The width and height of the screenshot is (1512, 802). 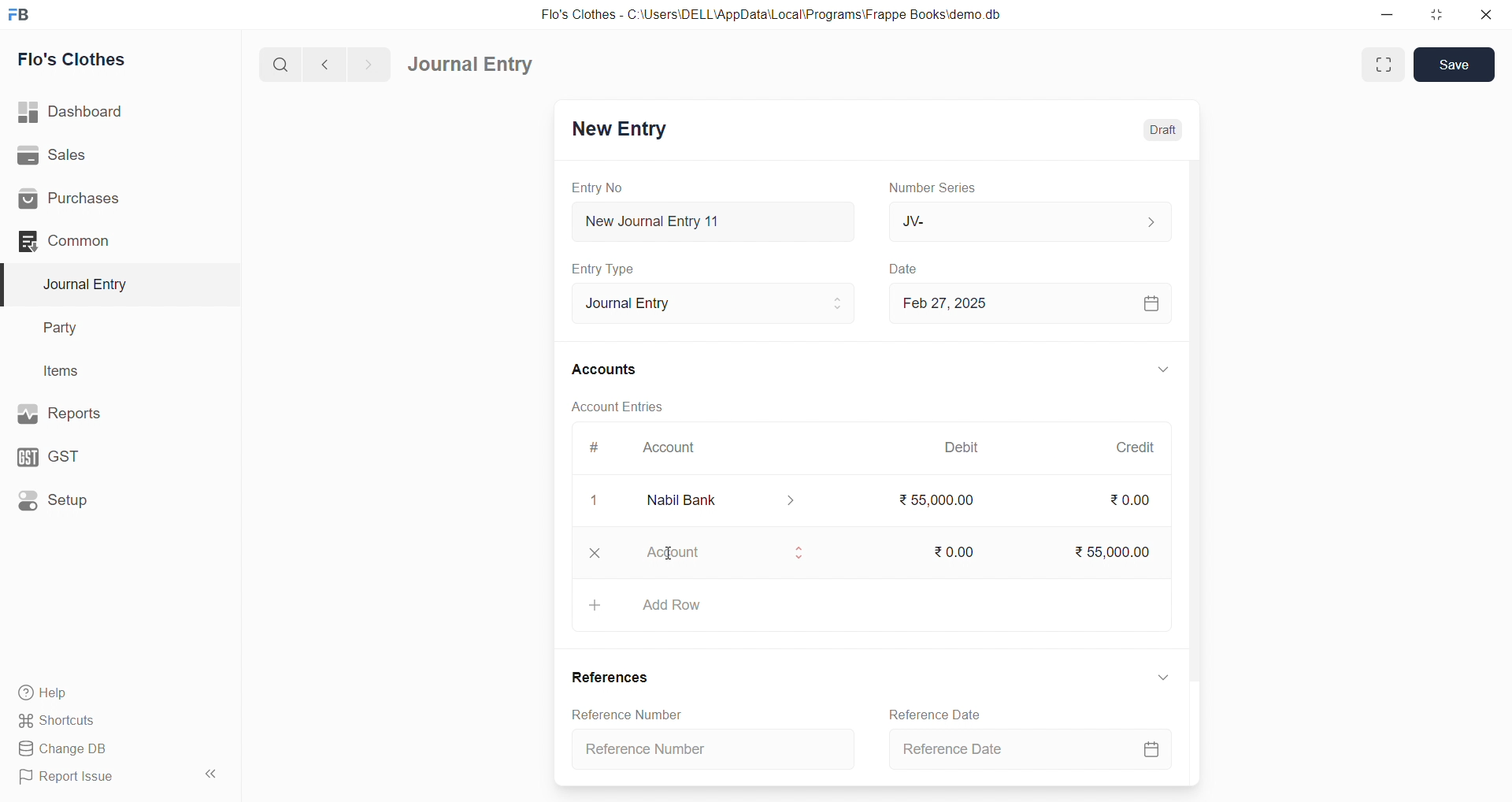 What do you see at coordinates (1381, 65) in the screenshot?
I see `Fit window` at bounding box center [1381, 65].